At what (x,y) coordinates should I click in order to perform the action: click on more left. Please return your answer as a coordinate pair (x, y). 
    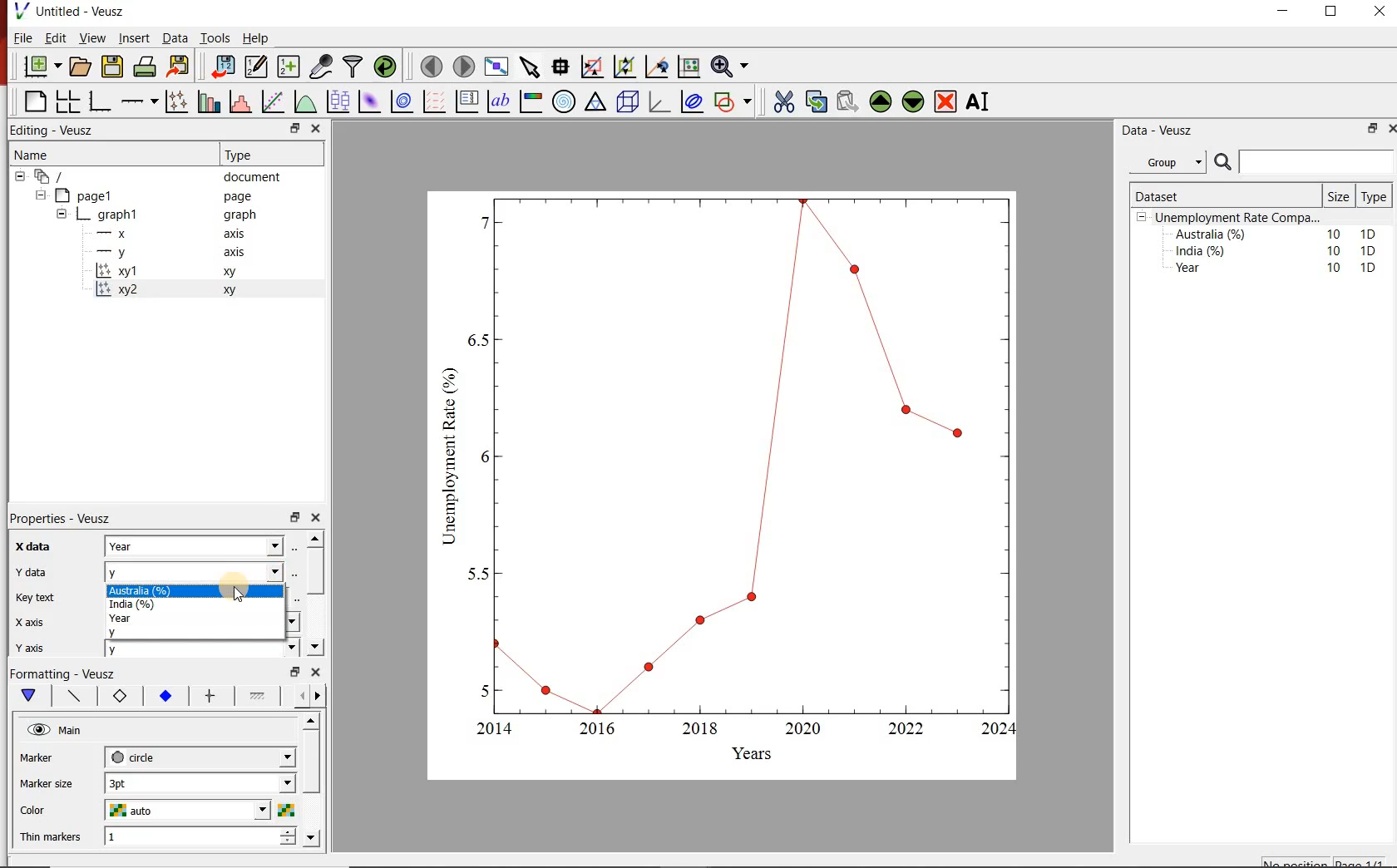
    Looking at the image, I should click on (299, 695).